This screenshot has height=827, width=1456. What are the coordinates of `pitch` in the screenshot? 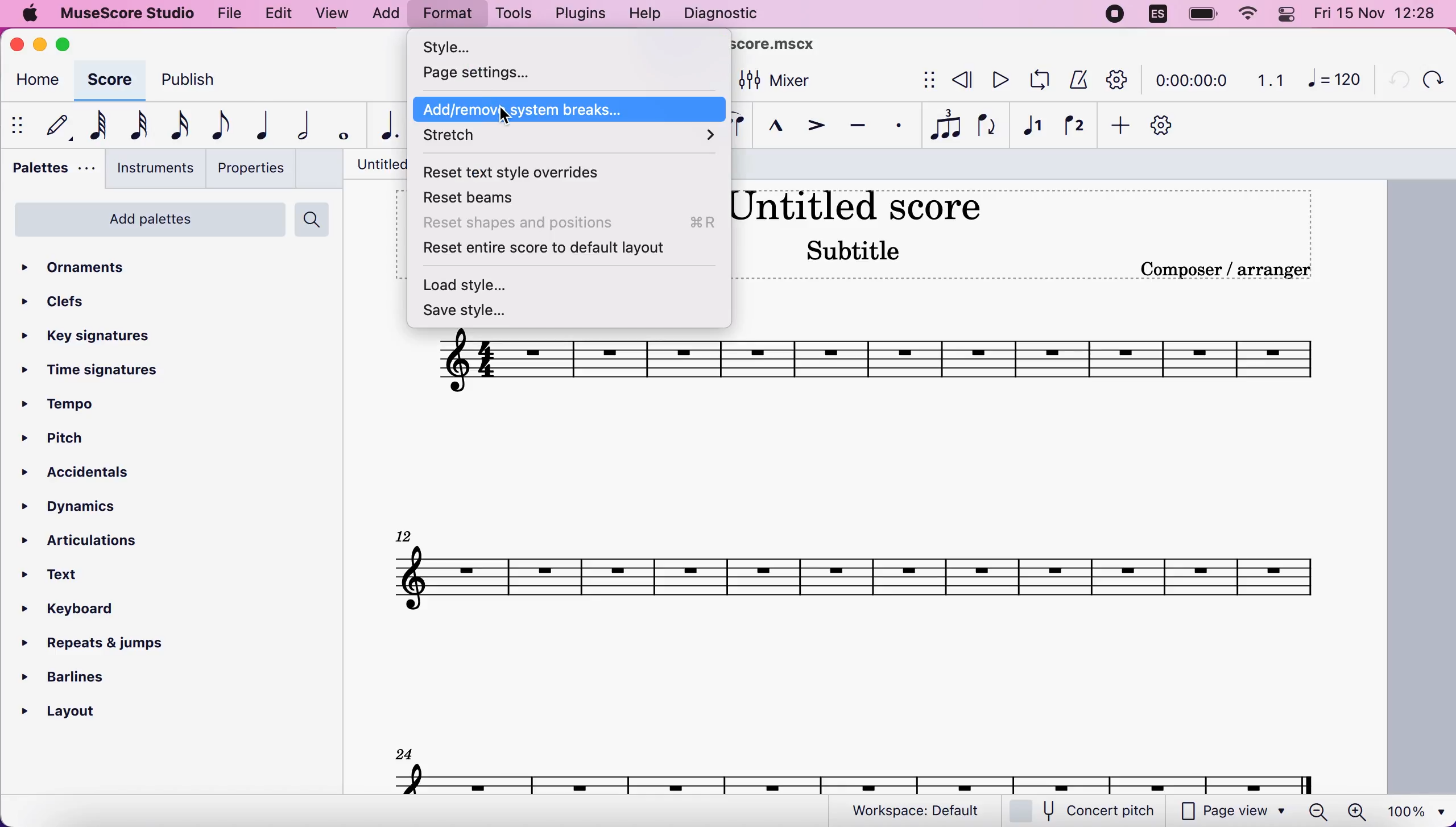 It's located at (71, 440).